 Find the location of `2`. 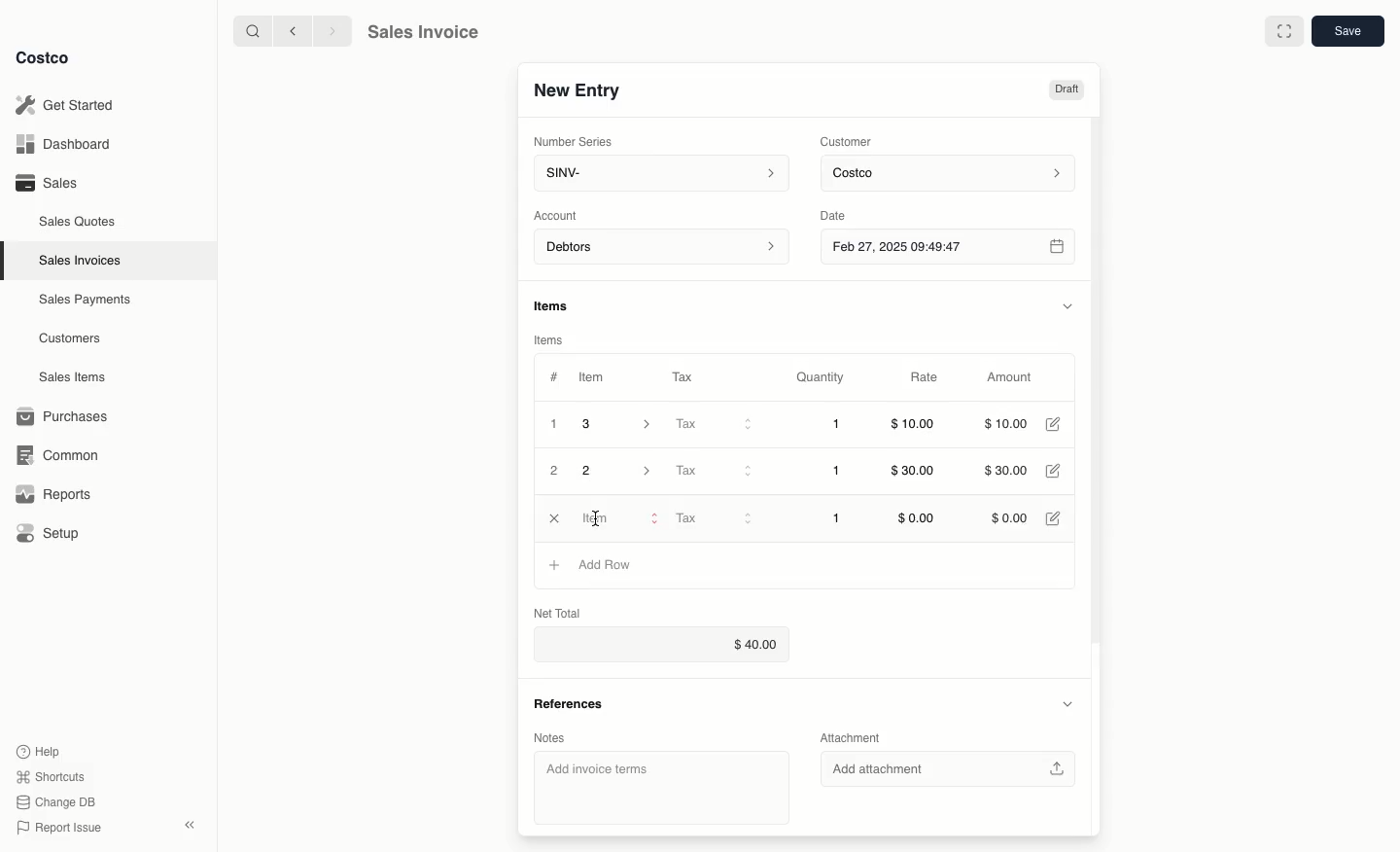

2 is located at coordinates (619, 471).